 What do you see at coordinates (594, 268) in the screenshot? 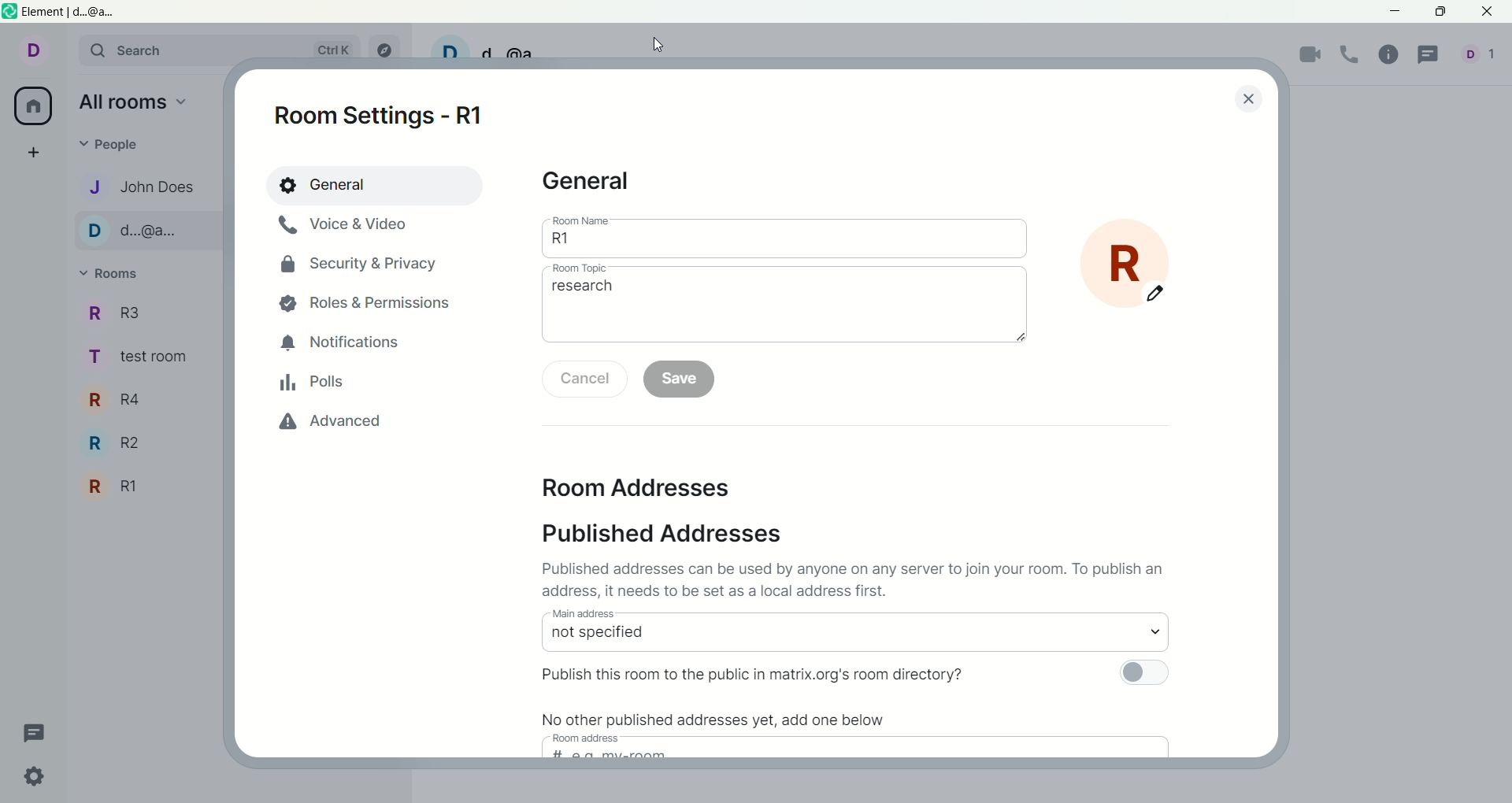
I see `room topic` at bounding box center [594, 268].